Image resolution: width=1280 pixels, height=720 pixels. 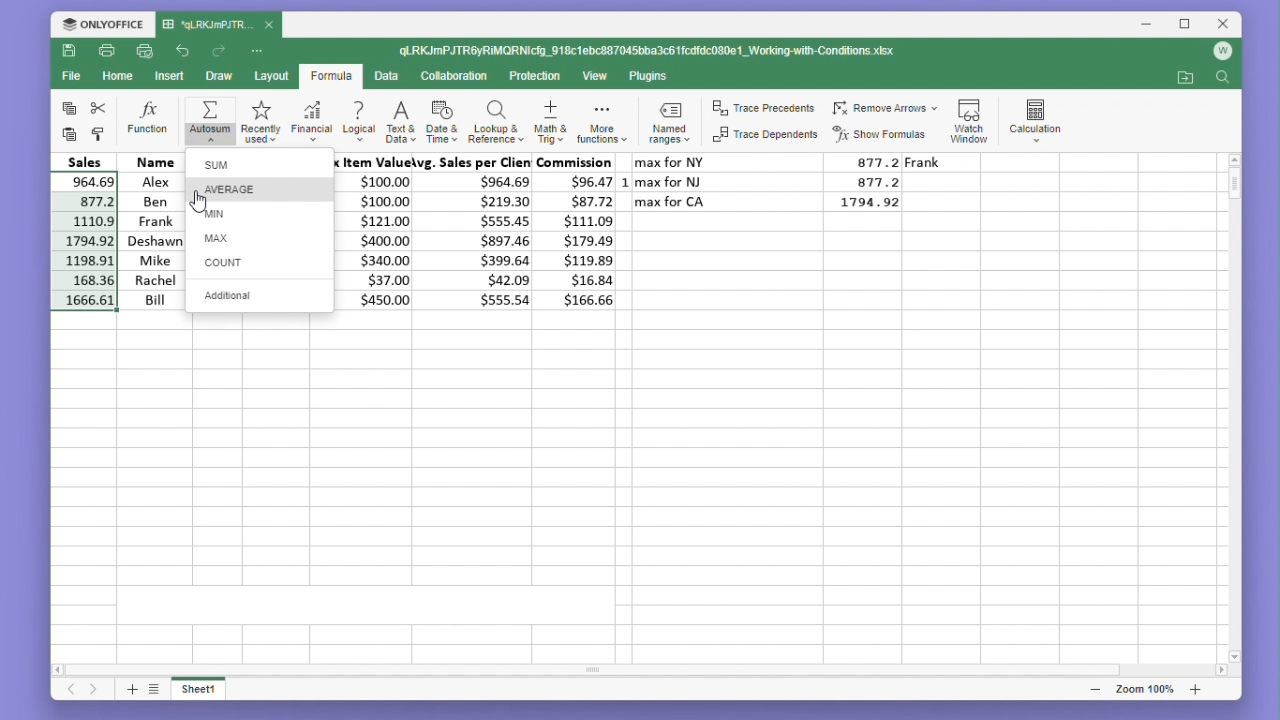 What do you see at coordinates (259, 51) in the screenshot?
I see `More options` at bounding box center [259, 51].